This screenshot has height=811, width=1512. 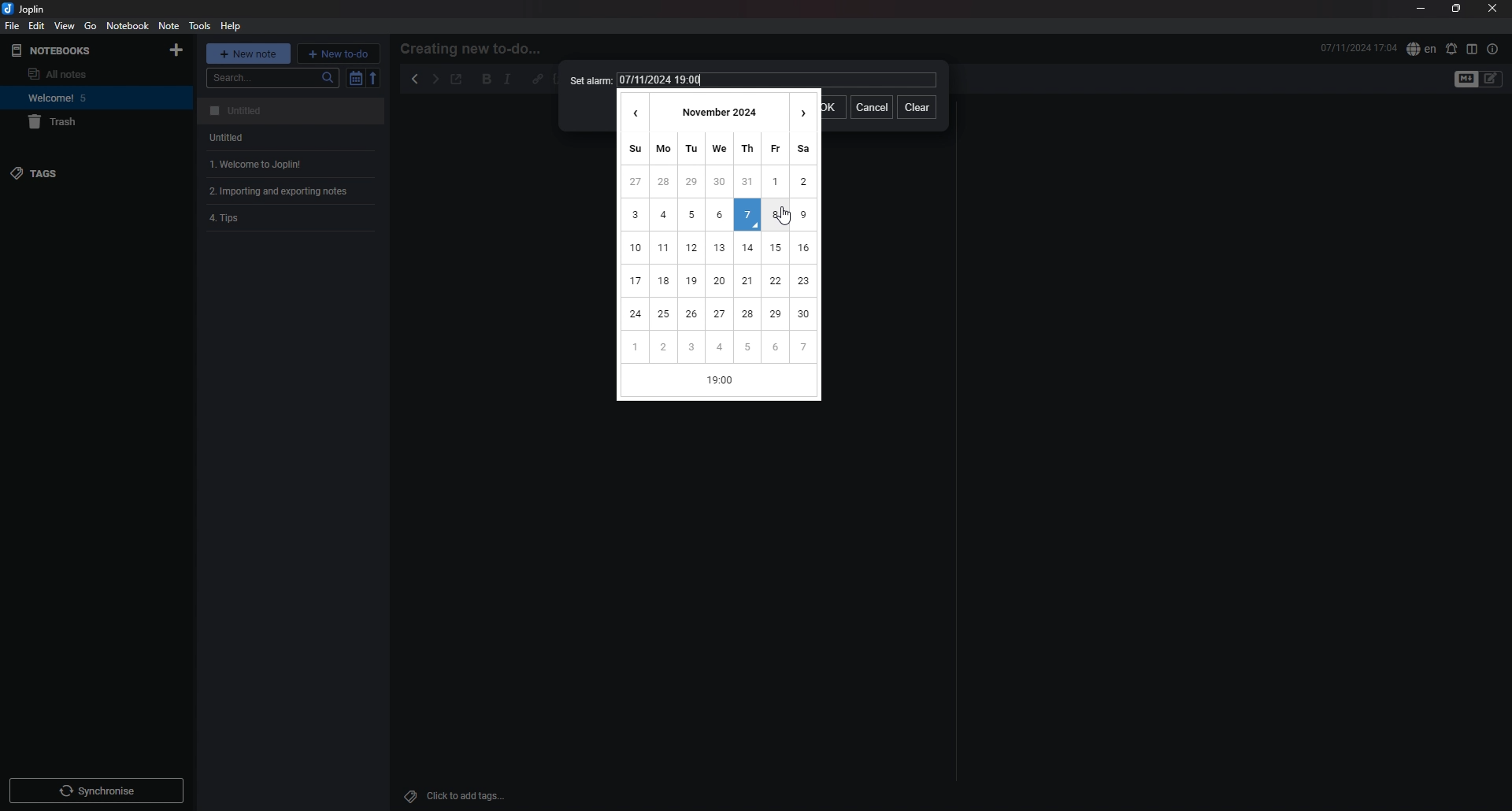 What do you see at coordinates (1492, 79) in the screenshot?
I see `toggle editors` at bounding box center [1492, 79].